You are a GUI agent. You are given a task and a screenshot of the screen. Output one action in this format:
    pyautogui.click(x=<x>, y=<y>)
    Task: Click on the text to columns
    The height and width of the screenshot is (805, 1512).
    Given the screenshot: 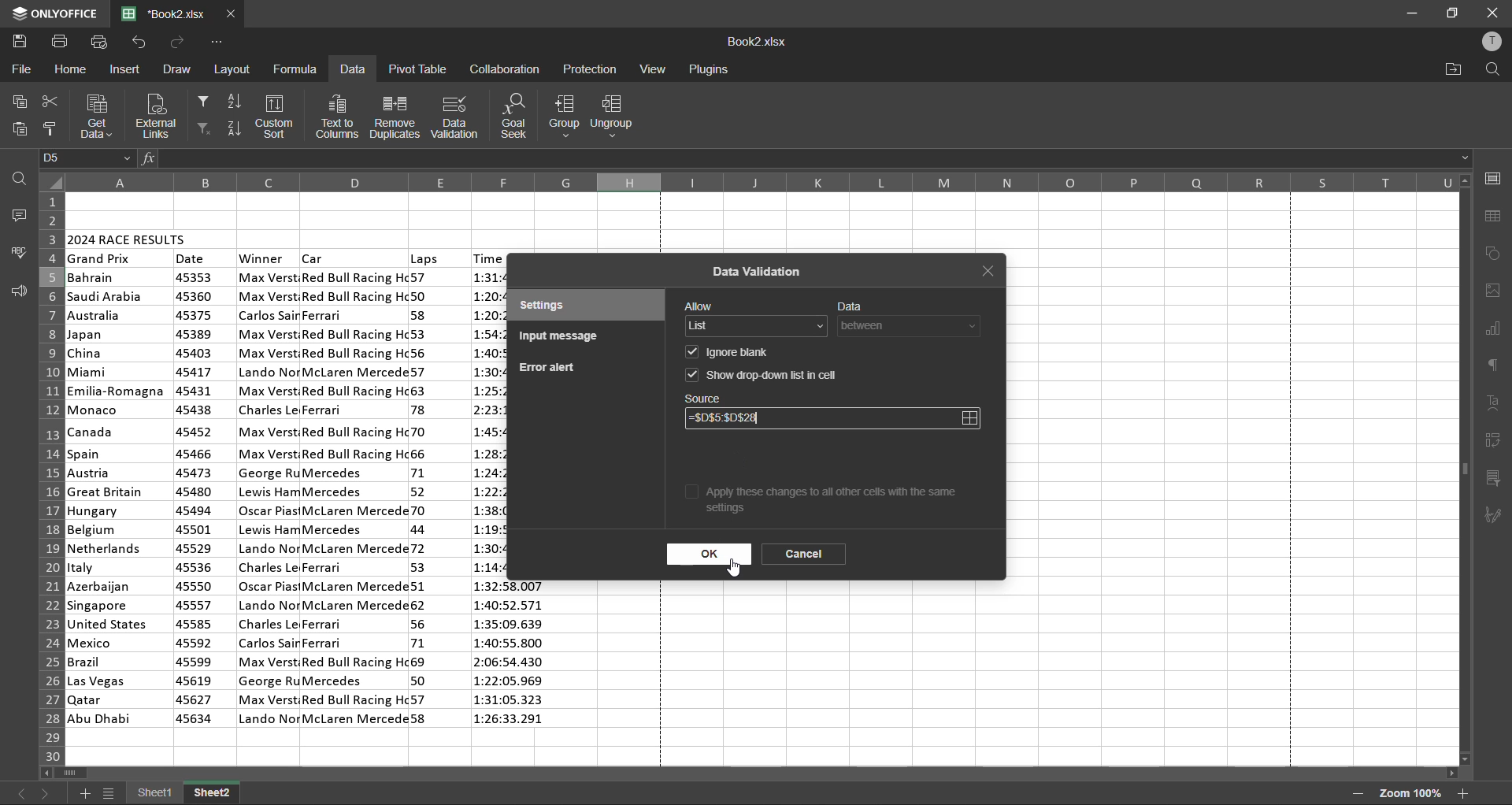 What is the action you would take?
    pyautogui.click(x=338, y=117)
    